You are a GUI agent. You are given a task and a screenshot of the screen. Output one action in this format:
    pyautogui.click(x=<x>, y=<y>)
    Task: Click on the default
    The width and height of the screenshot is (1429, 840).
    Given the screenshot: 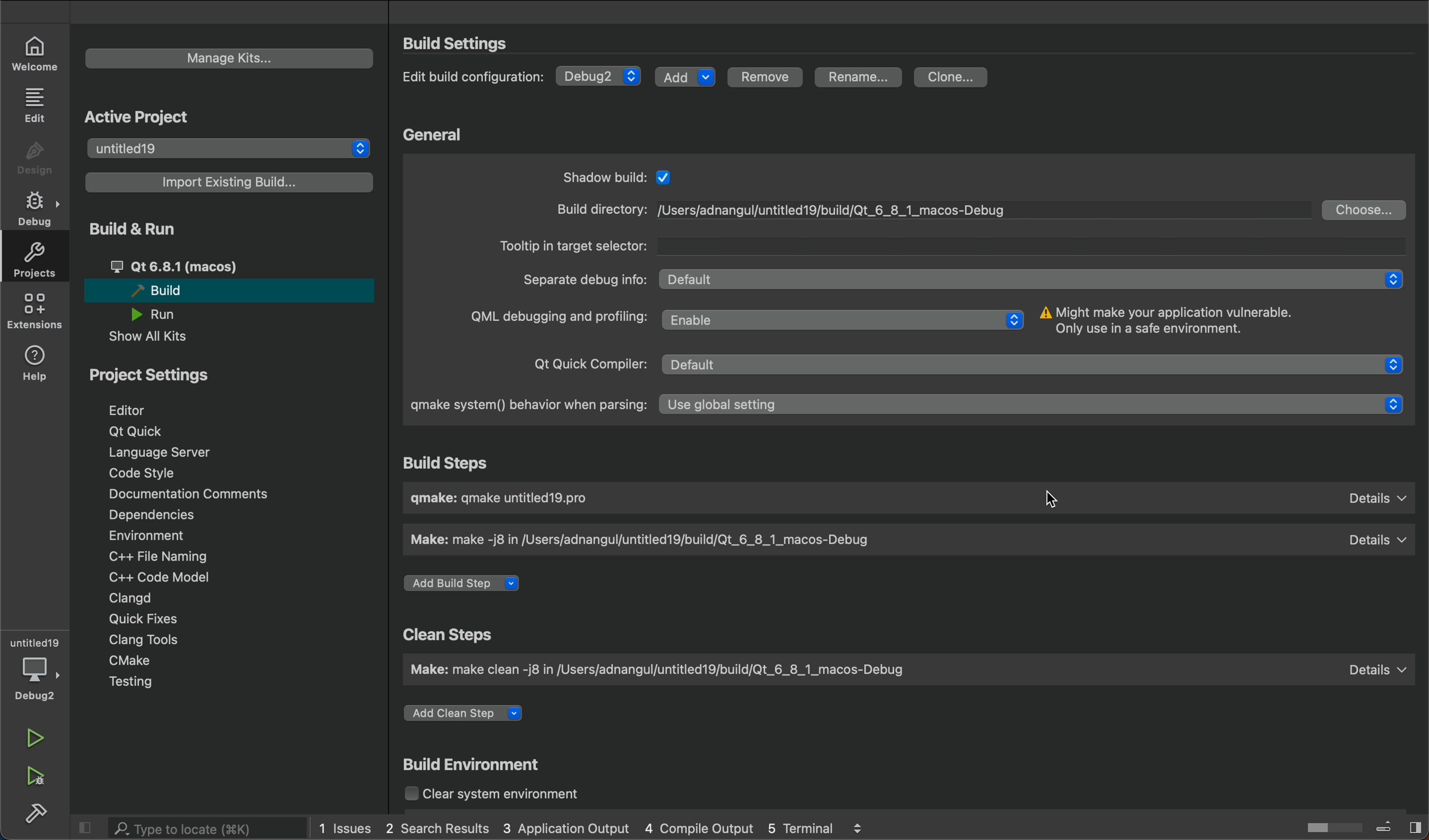 What is the action you would take?
    pyautogui.click(x=1036, y=362)
    